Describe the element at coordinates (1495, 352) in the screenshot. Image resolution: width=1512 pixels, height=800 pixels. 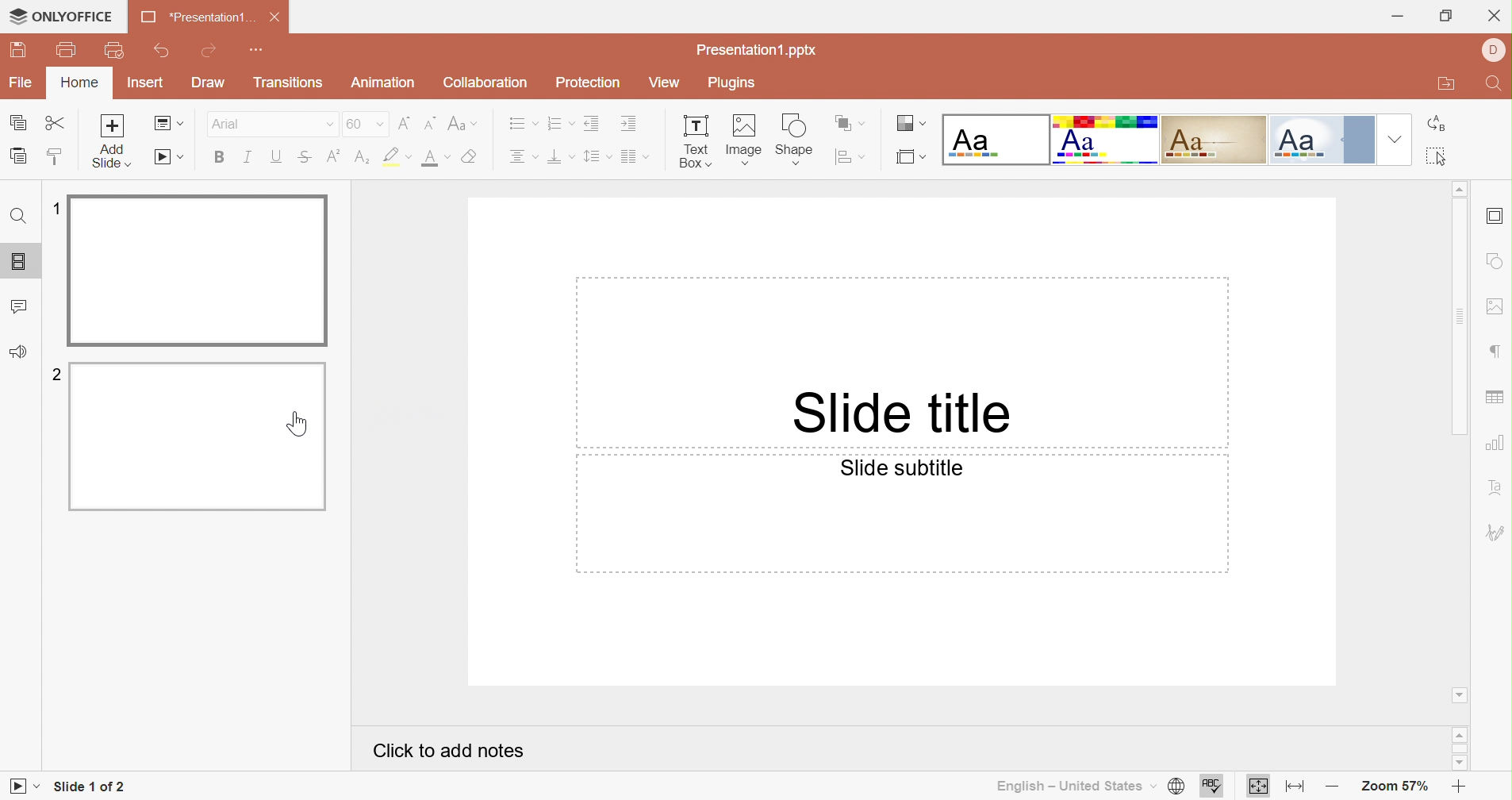
I see `Paragraph settings` at that location.